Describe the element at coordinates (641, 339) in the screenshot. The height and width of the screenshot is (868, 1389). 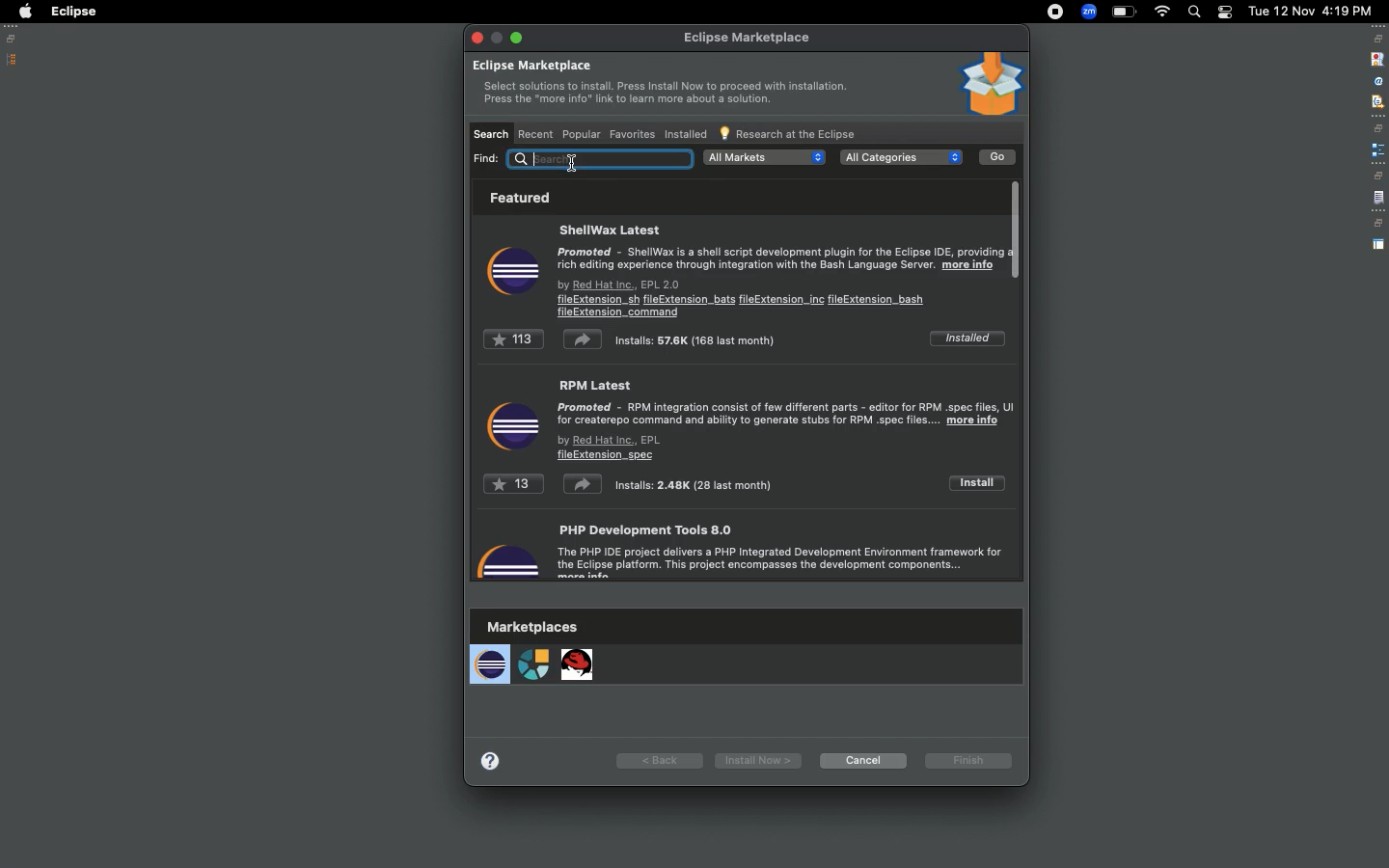
I see `Installs` at that location.